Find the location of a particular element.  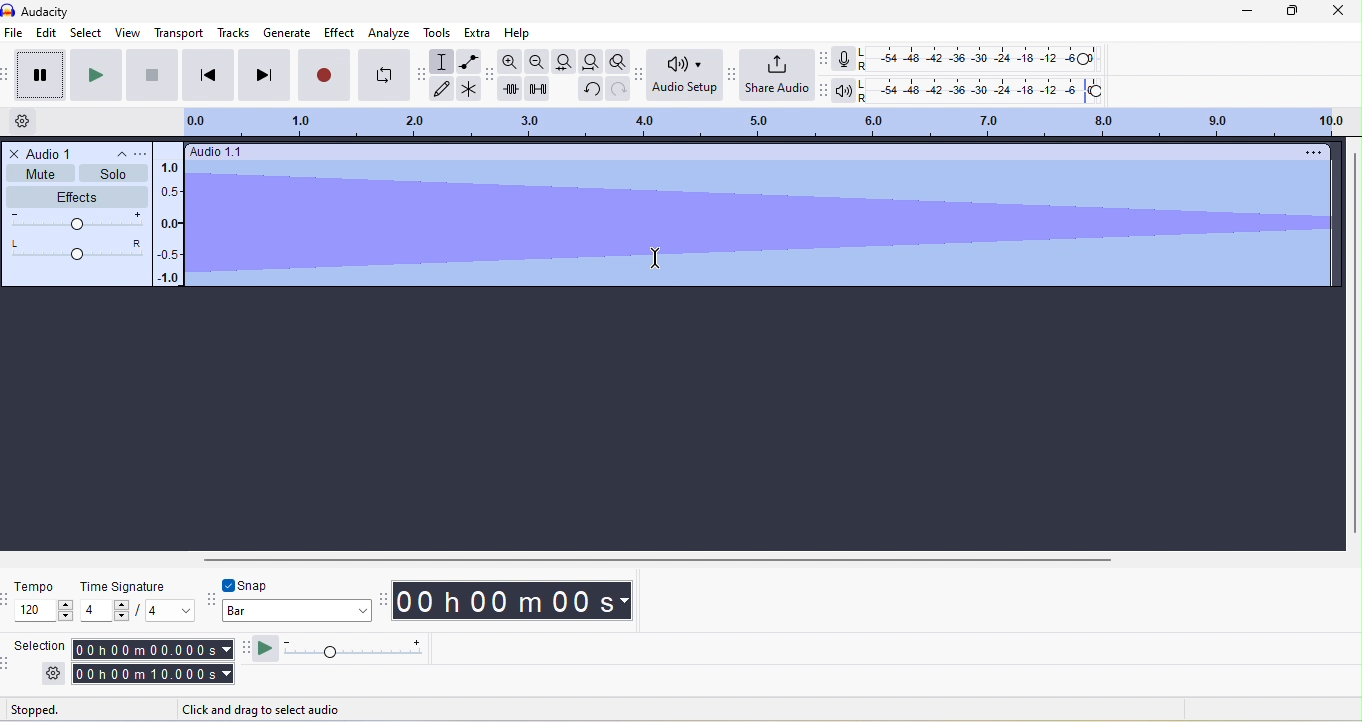

volume is located at coordinates (77, 223).